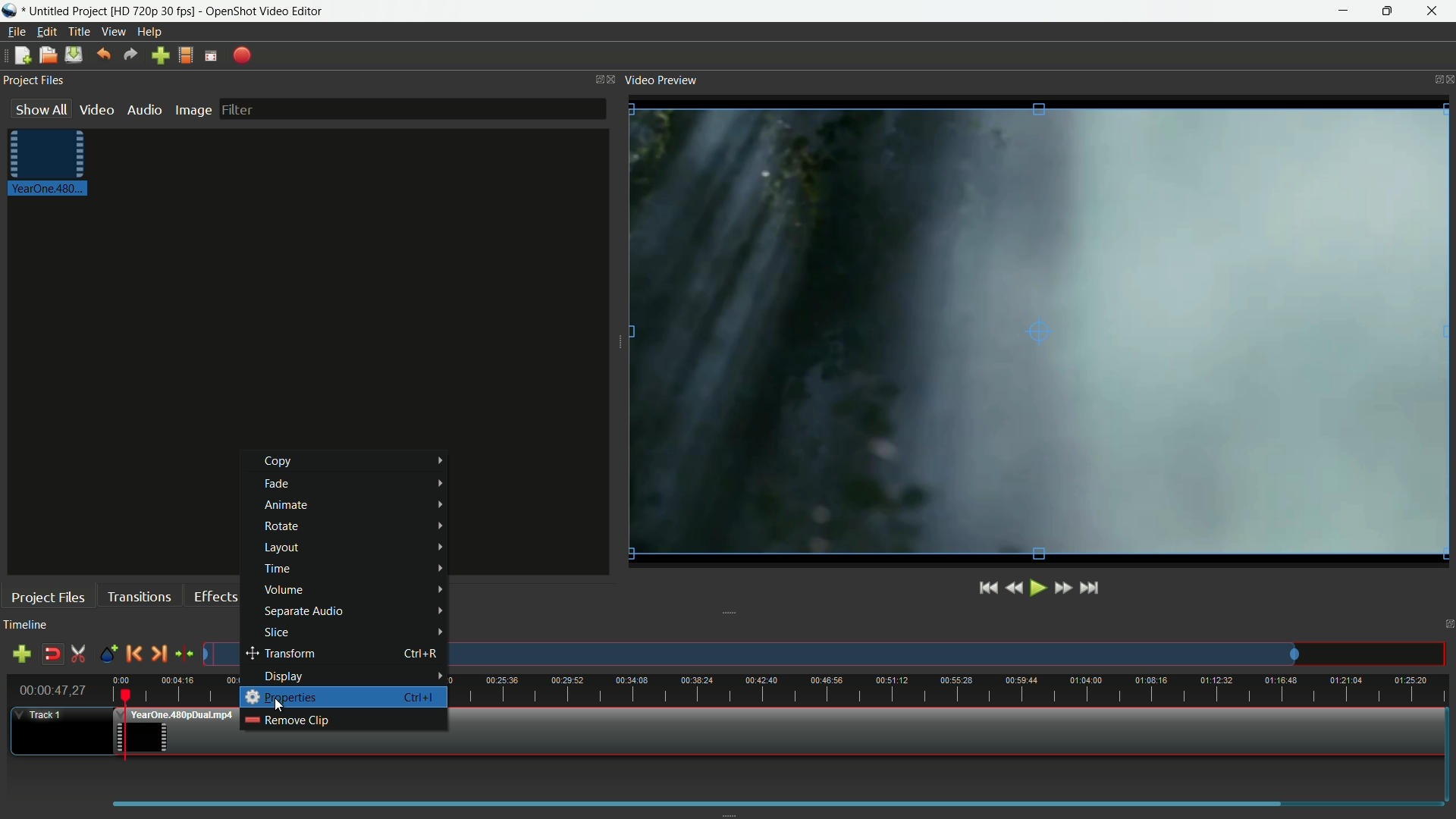 The width and height of the screenshot is (1456, 819). What do you see at coordinates (352, 591) in the screenshot?
I see `volume` at bounding box center [352, 591].